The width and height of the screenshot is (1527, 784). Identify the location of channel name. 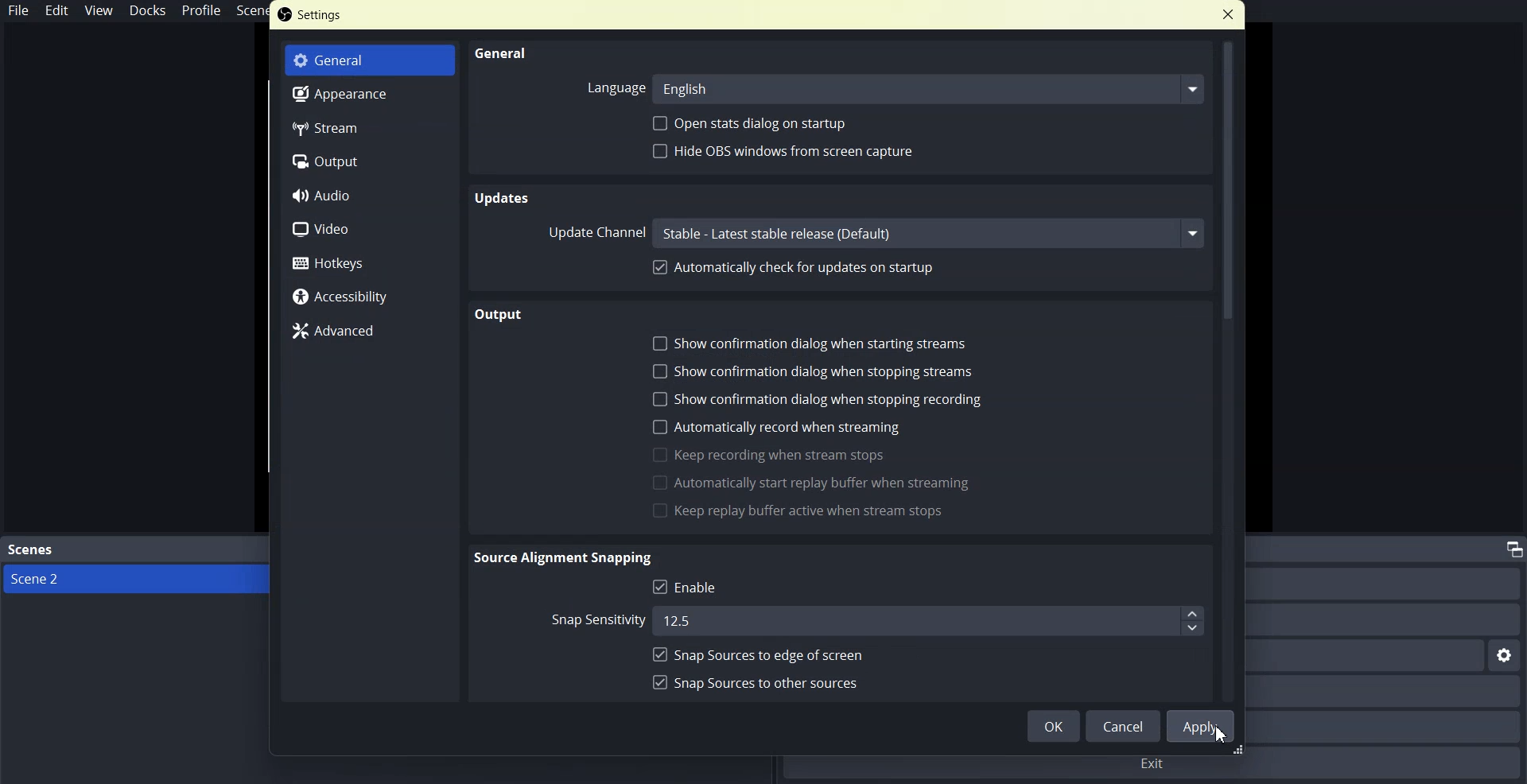
(931, 233).